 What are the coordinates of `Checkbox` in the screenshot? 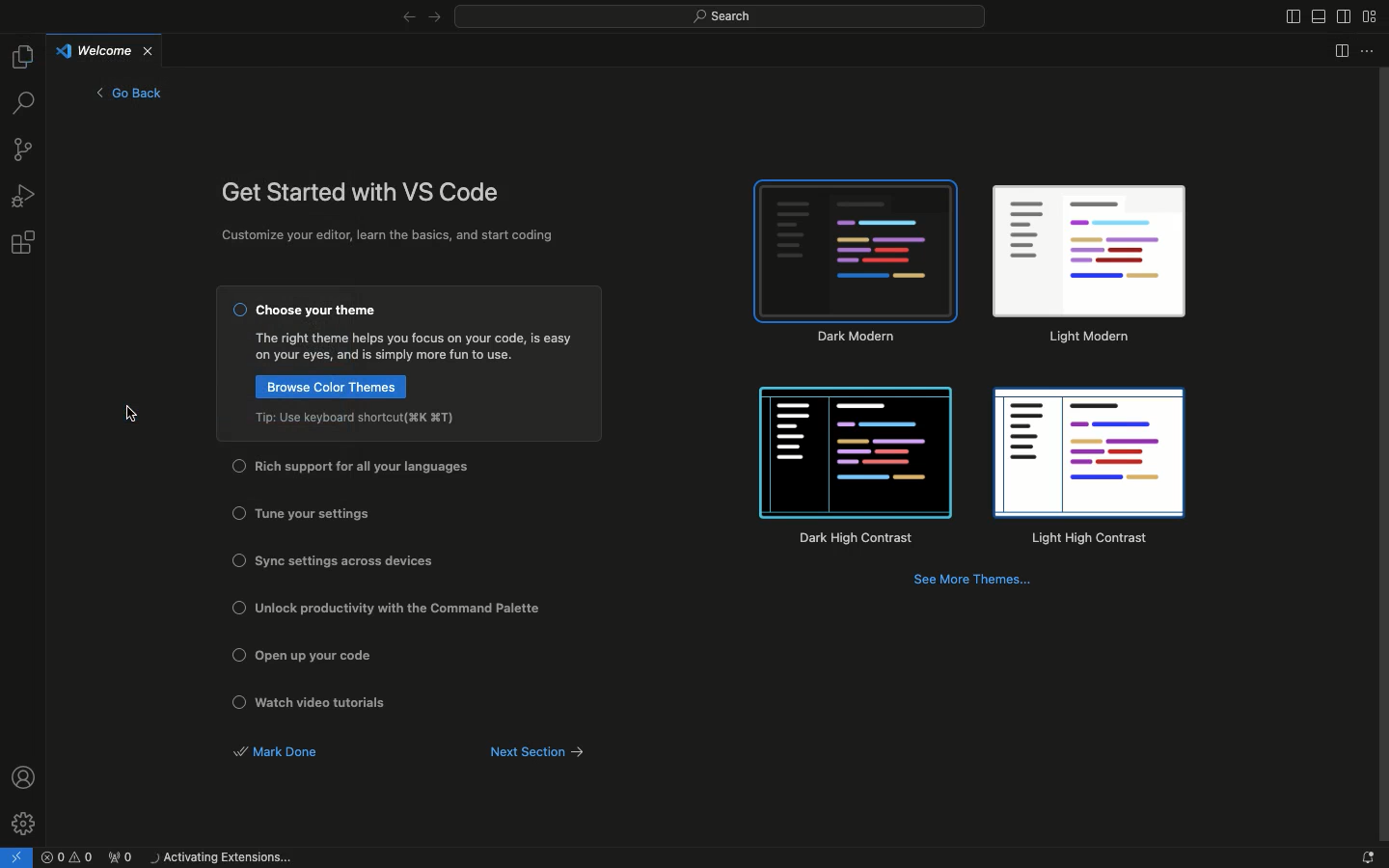 It's located at (235, 559).